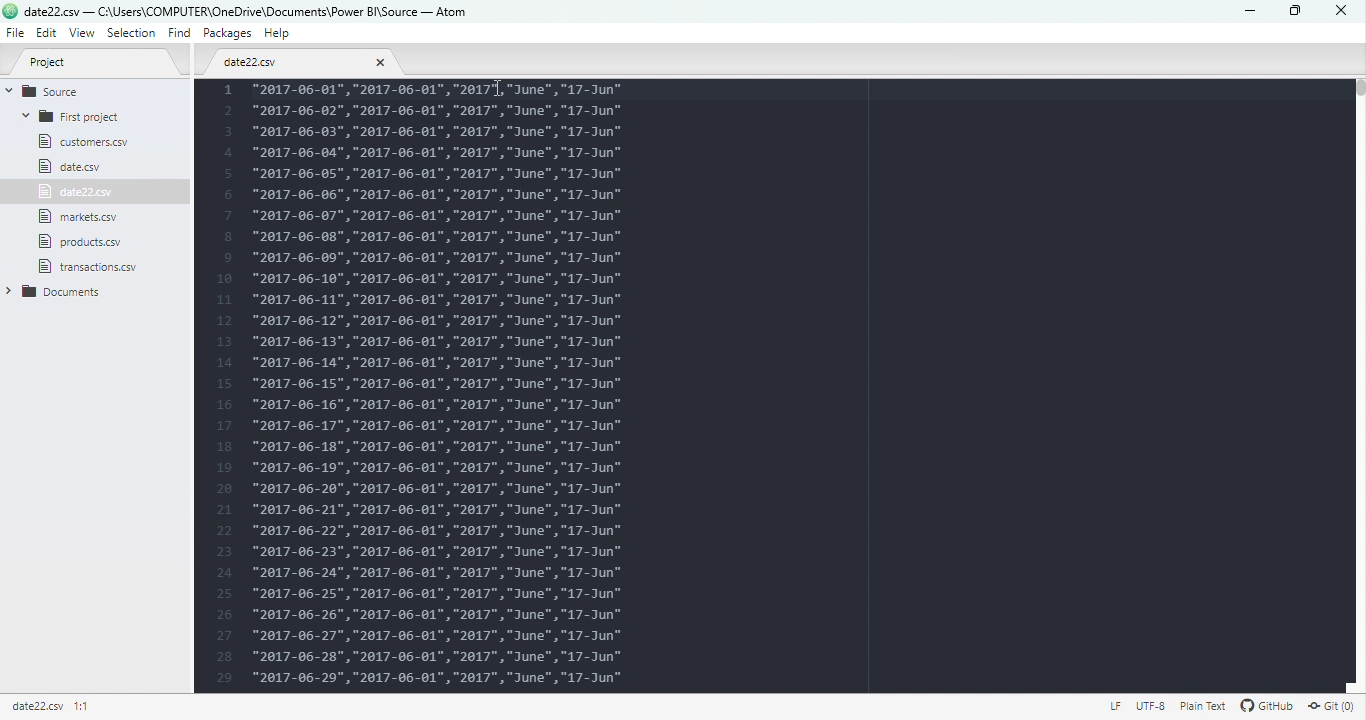 The image size is (1366, 720). What do you see at coordinates (1247, 12) in the screenshot?
I see `Minimize` at bounding box center [1247, 12].